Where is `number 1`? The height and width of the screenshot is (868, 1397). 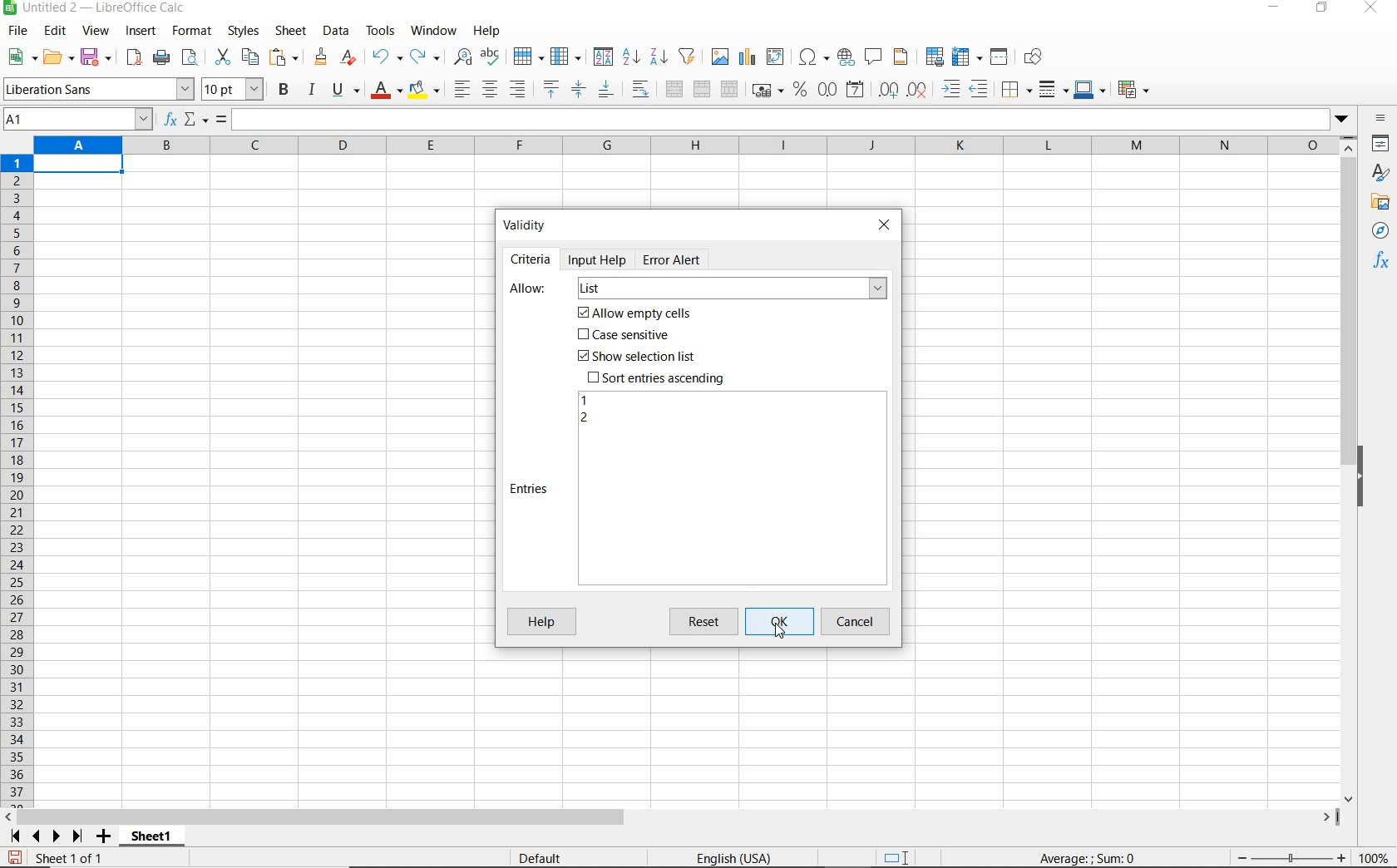 number 1 is located at coordinates (585, 401).